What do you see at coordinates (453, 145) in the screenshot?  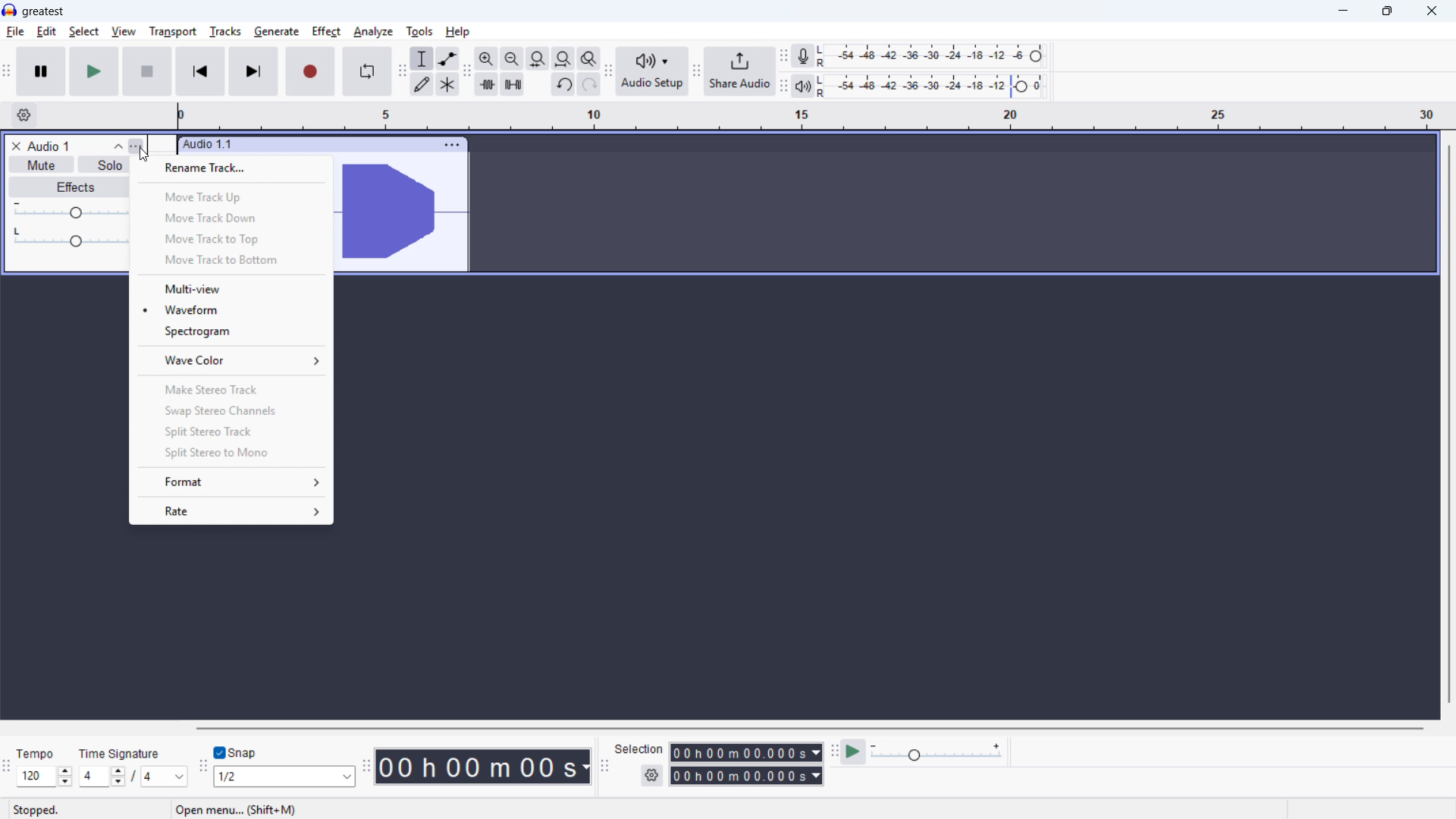 I see `track options` at bounding box center [453, 145].